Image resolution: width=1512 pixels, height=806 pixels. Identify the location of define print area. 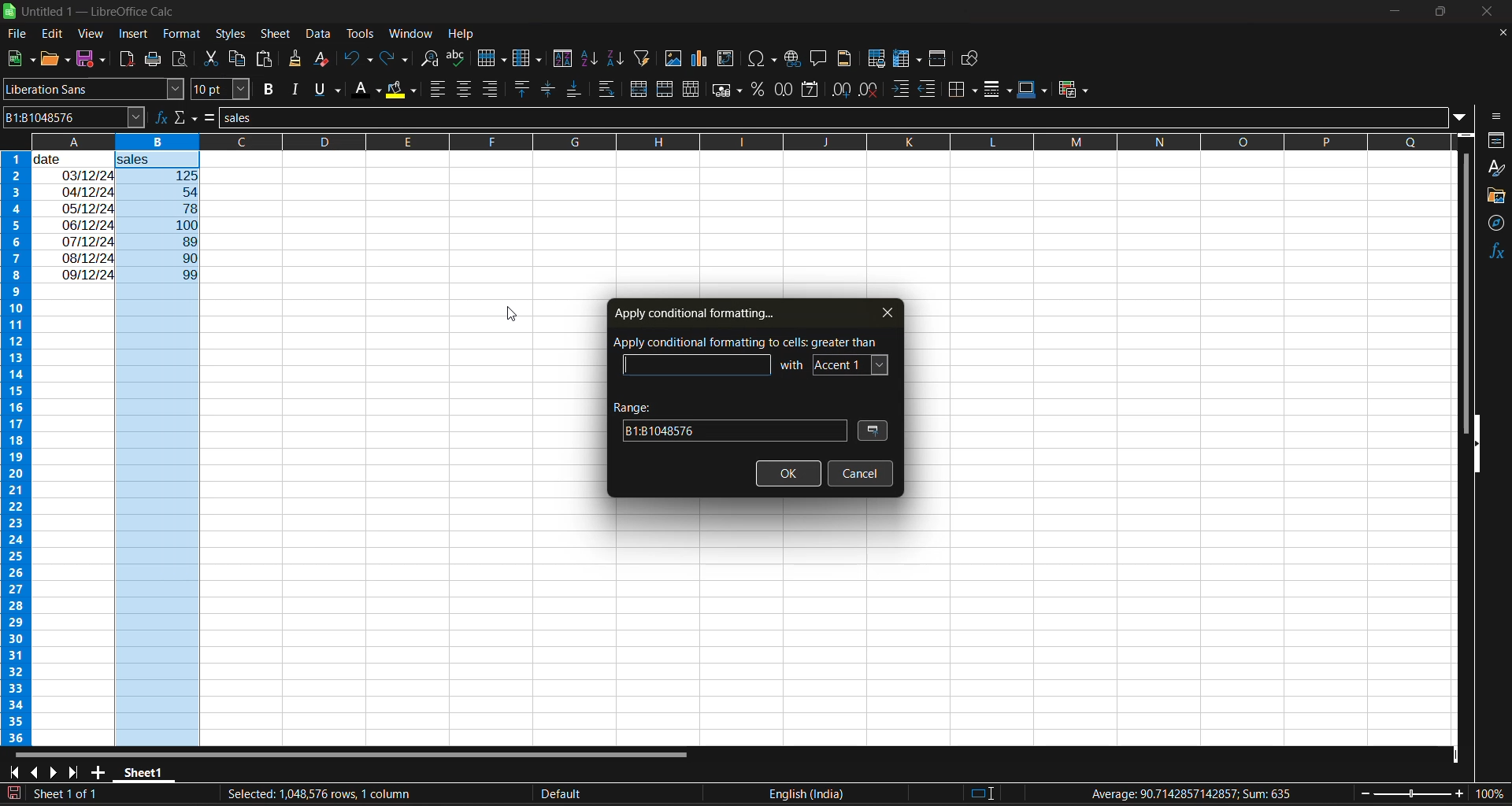
(880, 60).